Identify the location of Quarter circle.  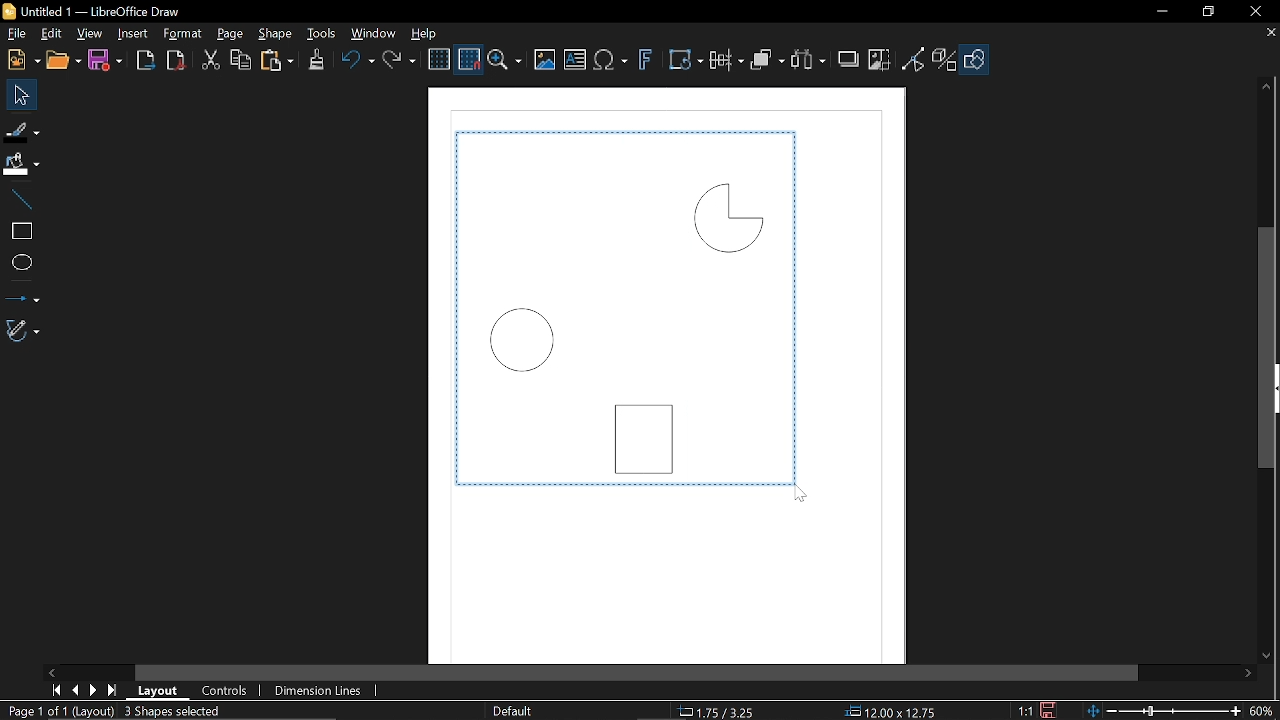
(727, 217).